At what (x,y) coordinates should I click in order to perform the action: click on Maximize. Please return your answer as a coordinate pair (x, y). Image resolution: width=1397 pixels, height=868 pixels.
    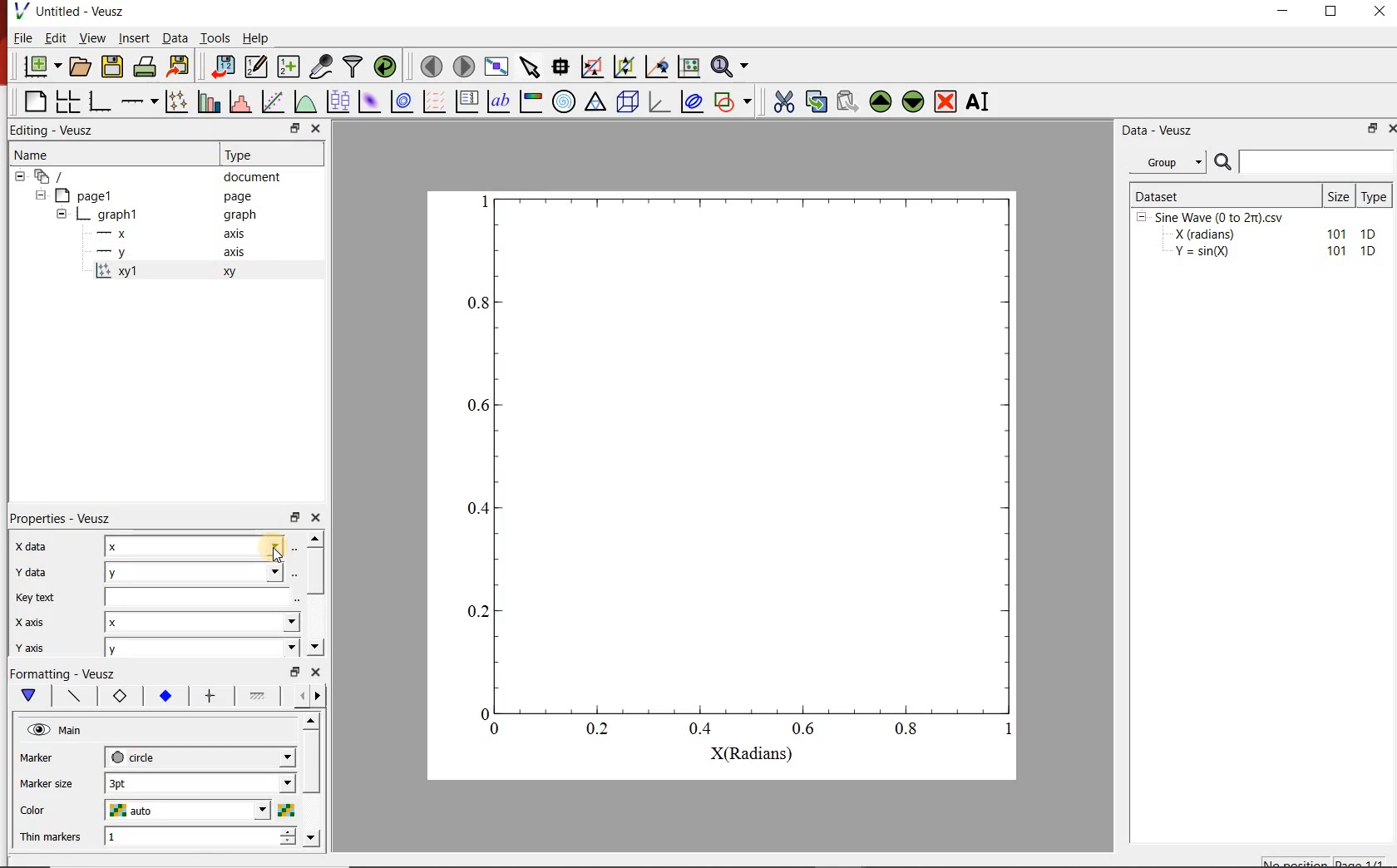
    Looking at the image, I should click on (1332, 12).